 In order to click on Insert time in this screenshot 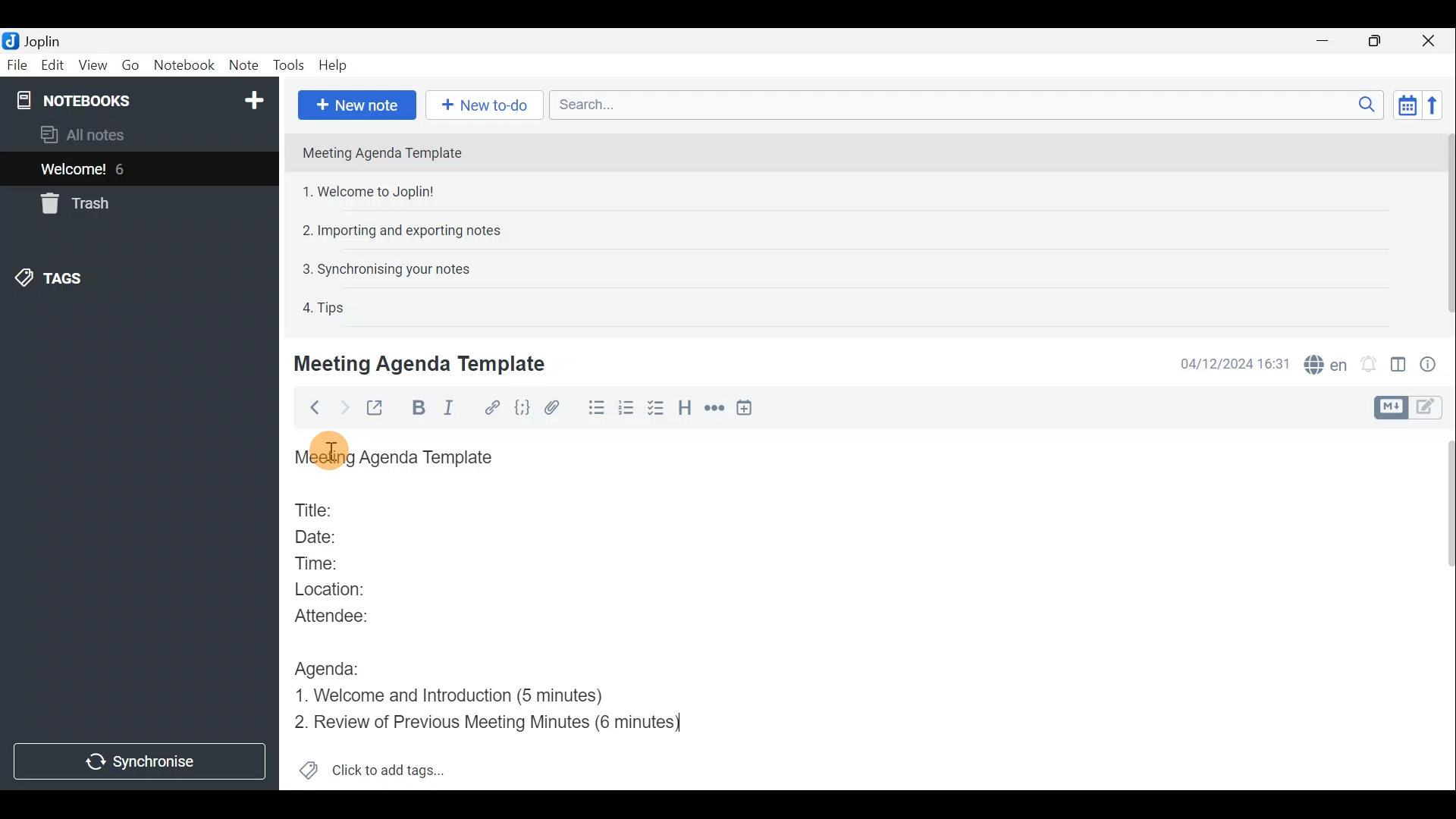, I will do `click(748, 410)`.